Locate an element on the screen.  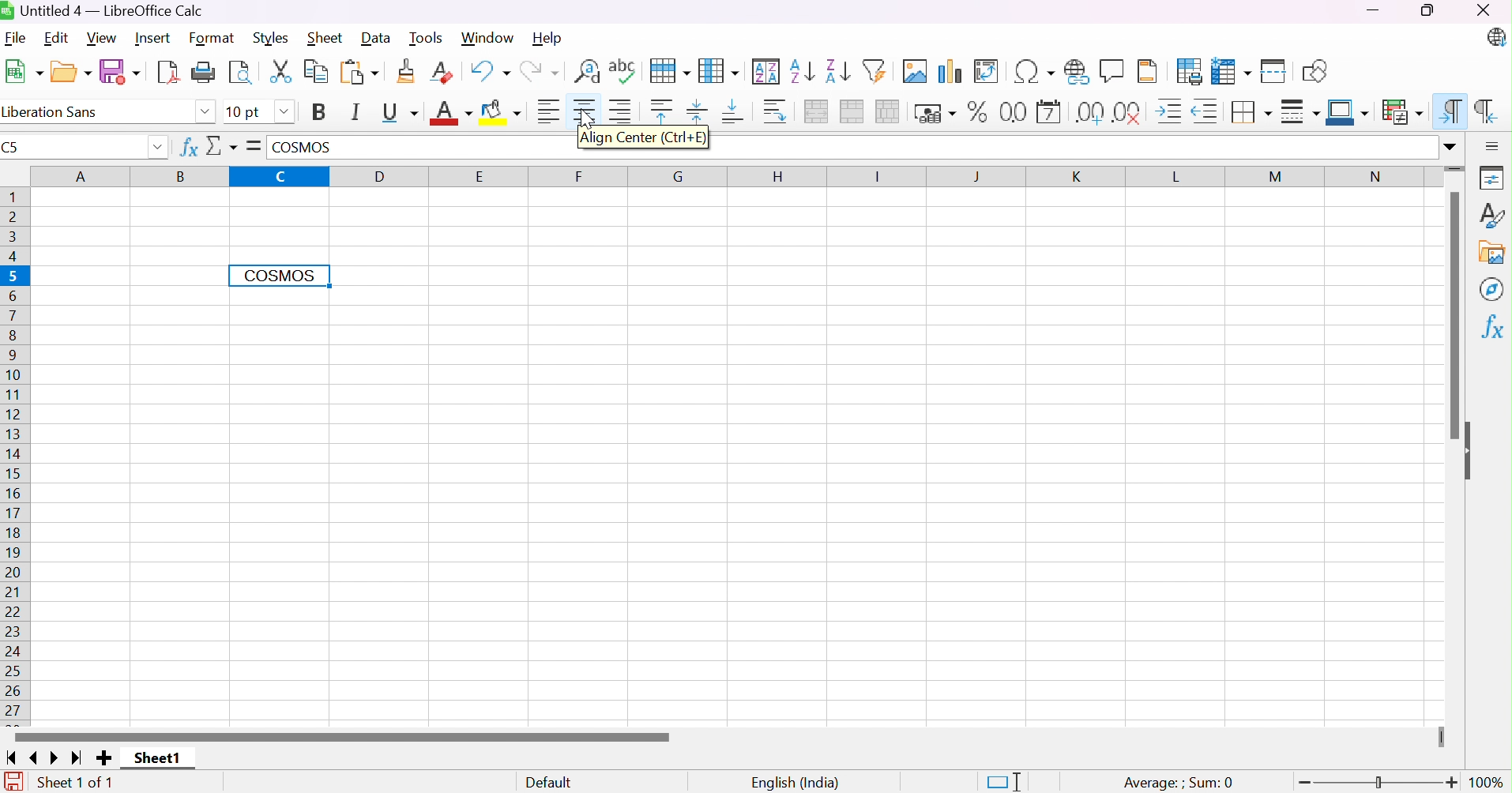
Sheet is located at coordinates (326, 37).